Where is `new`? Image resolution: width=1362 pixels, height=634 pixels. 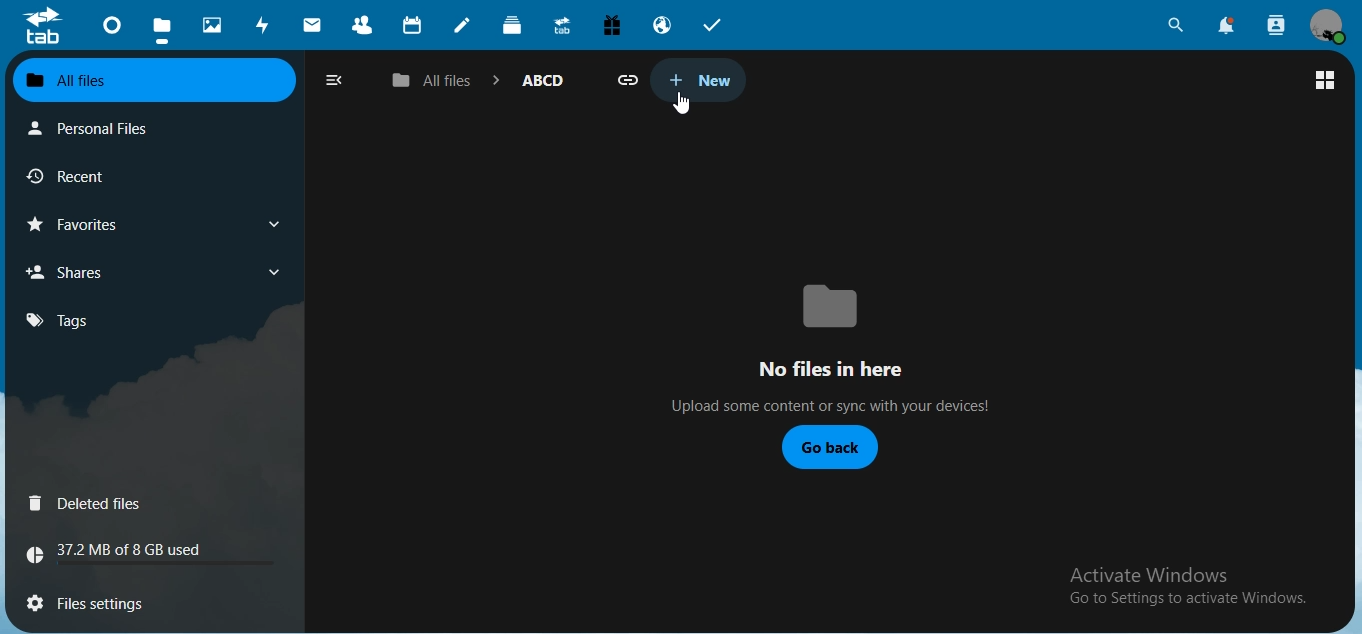
new is located at coordinates (696, 79).